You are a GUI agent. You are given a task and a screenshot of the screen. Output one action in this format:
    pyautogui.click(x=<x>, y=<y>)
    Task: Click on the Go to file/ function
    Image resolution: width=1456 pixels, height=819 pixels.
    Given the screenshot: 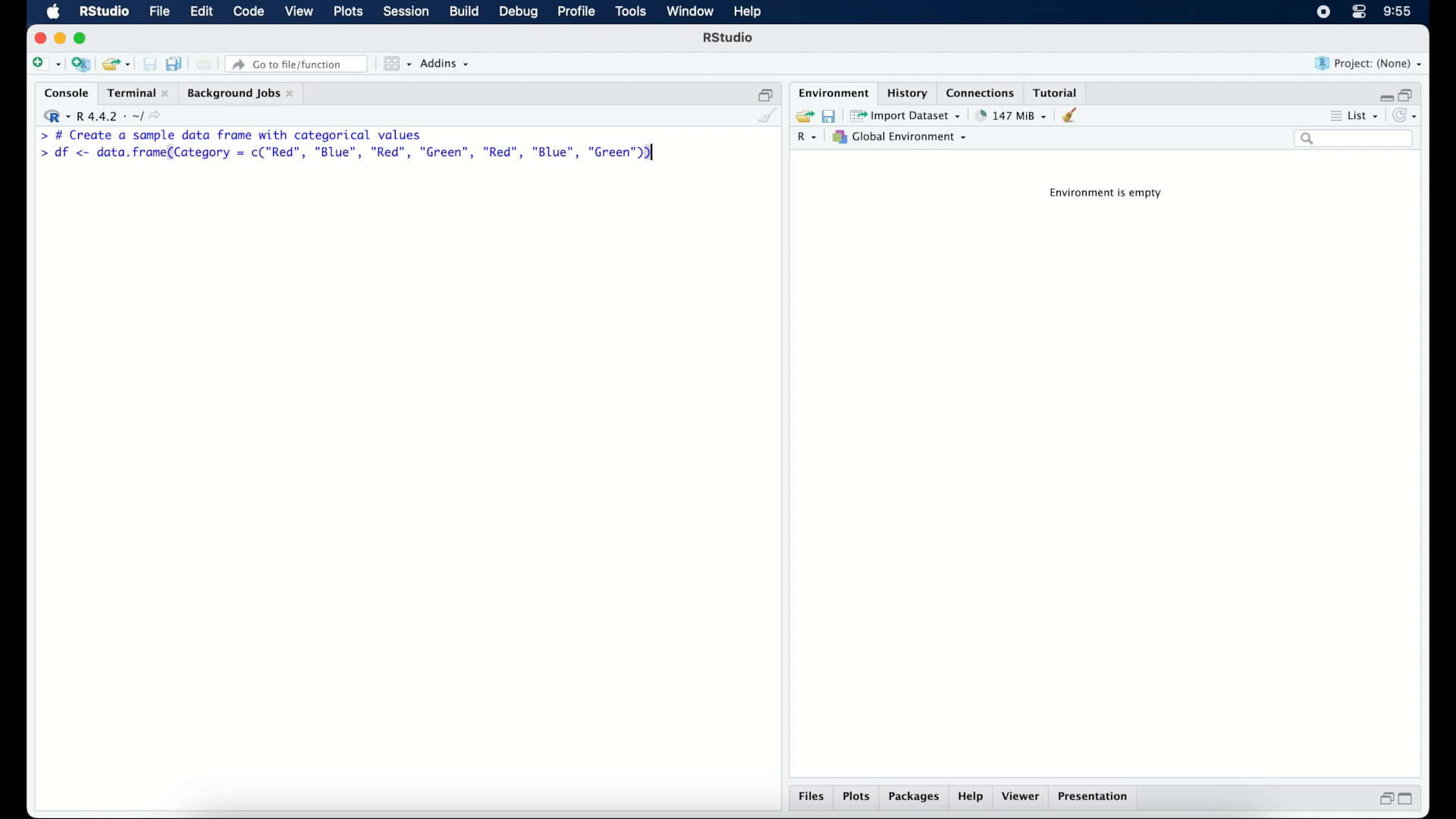 What is the action you would take?
    pyautogui.click(x=300, y=63)
    